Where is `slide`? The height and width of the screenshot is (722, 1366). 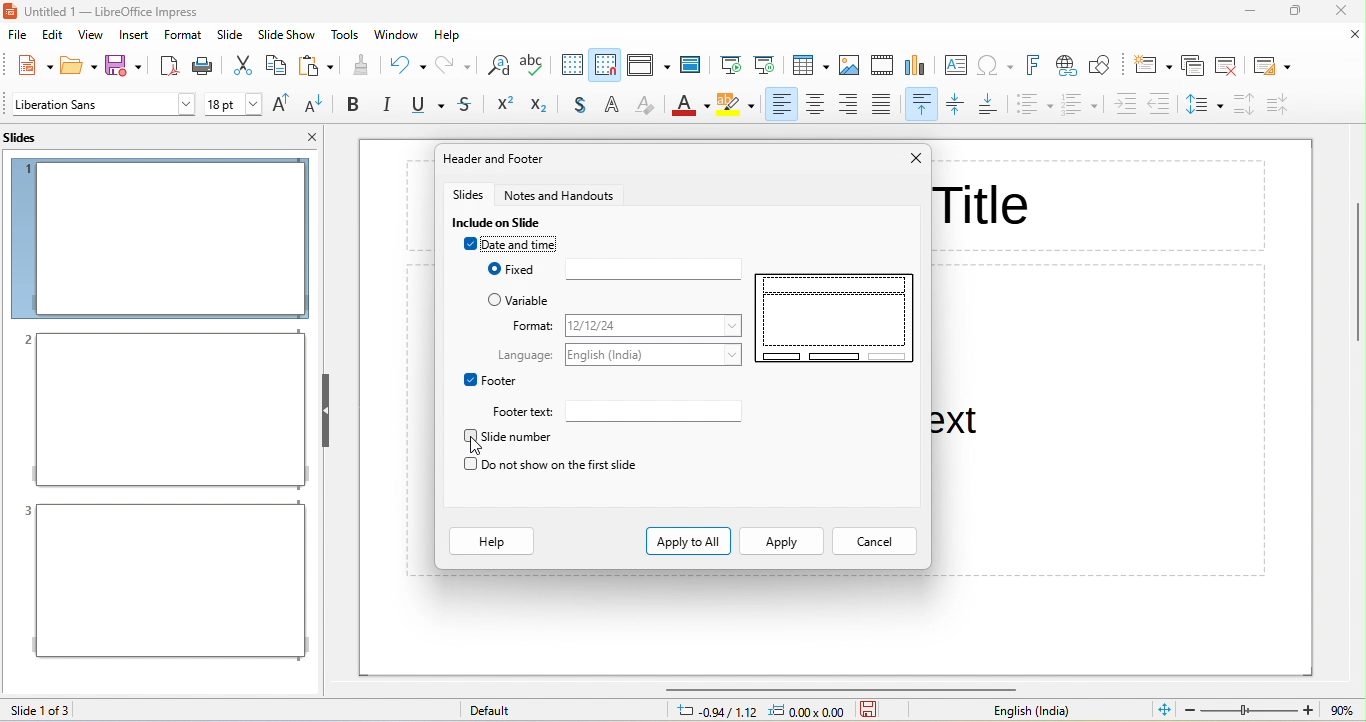
slide is located at coordinates (835, 317).